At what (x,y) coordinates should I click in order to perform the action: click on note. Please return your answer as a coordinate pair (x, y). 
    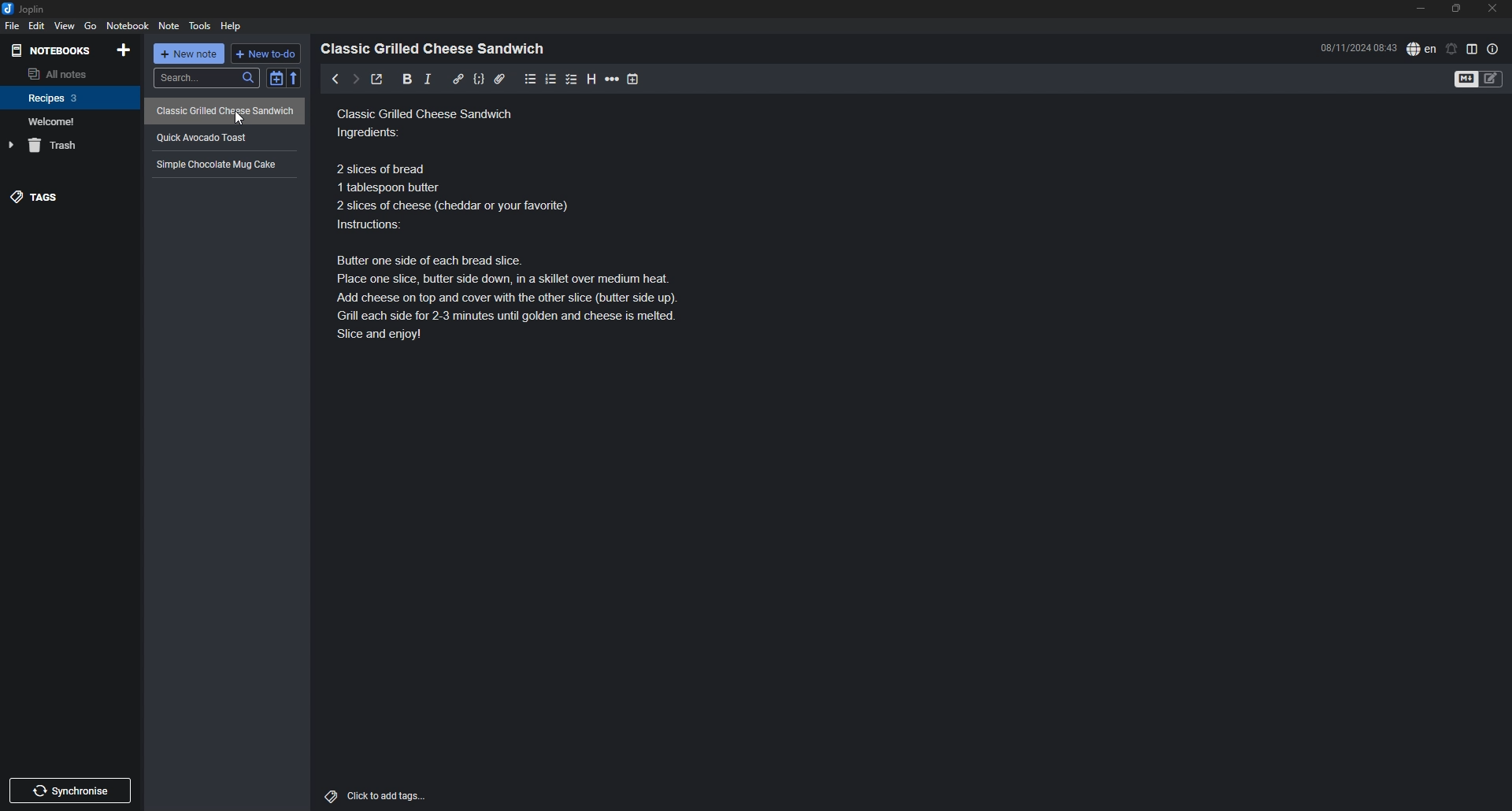
    Looking at the image, I should click on (168, 26).